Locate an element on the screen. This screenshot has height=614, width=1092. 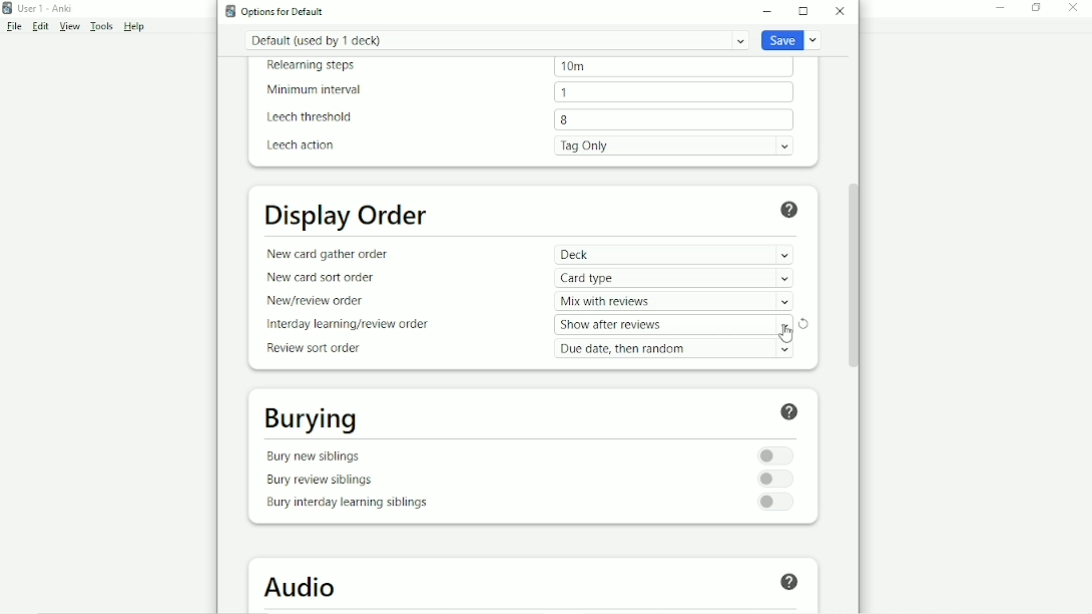
New card sort order is located at coordinates (322, 279).